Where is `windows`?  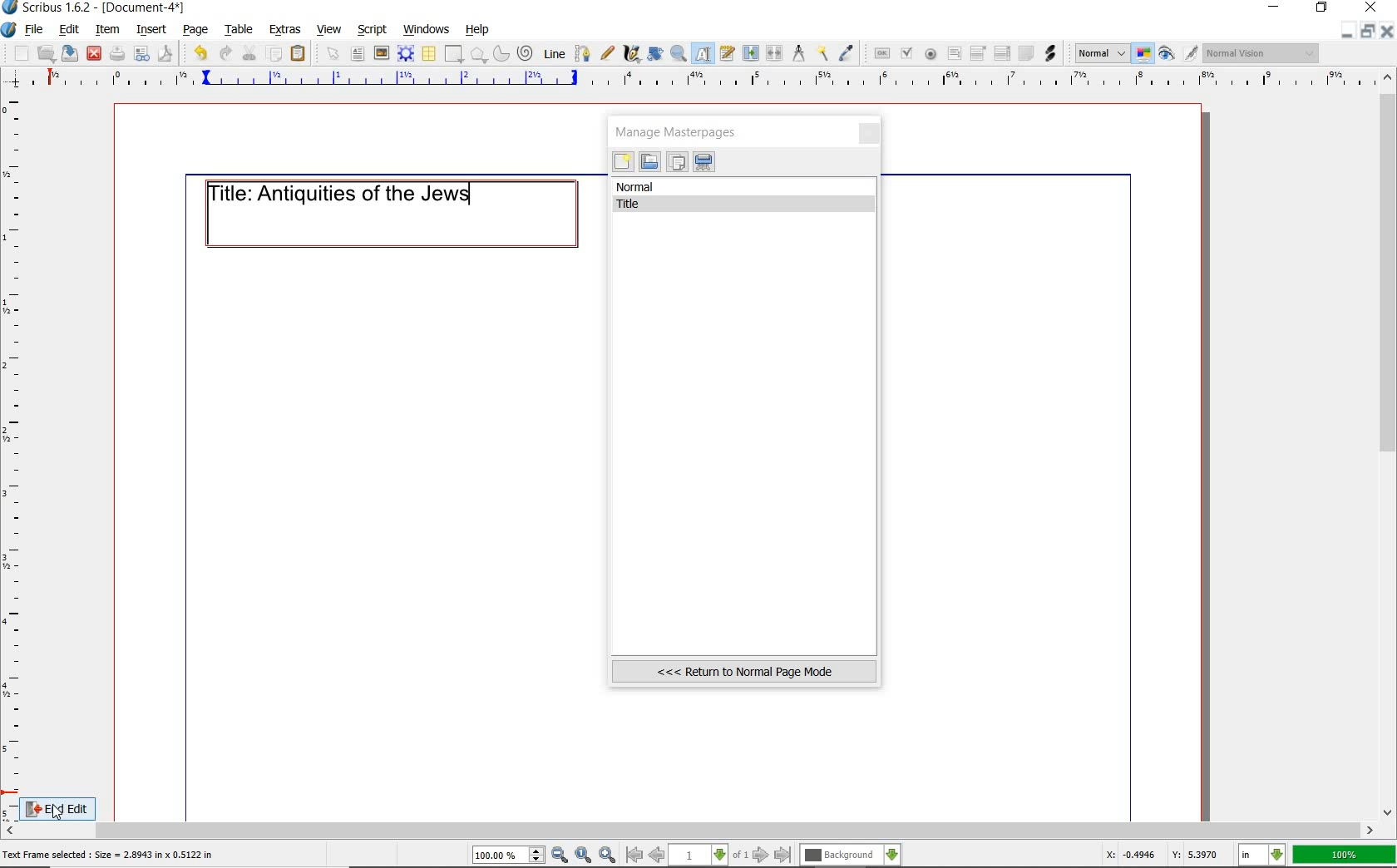 windows is located at coordinates (426, 28).